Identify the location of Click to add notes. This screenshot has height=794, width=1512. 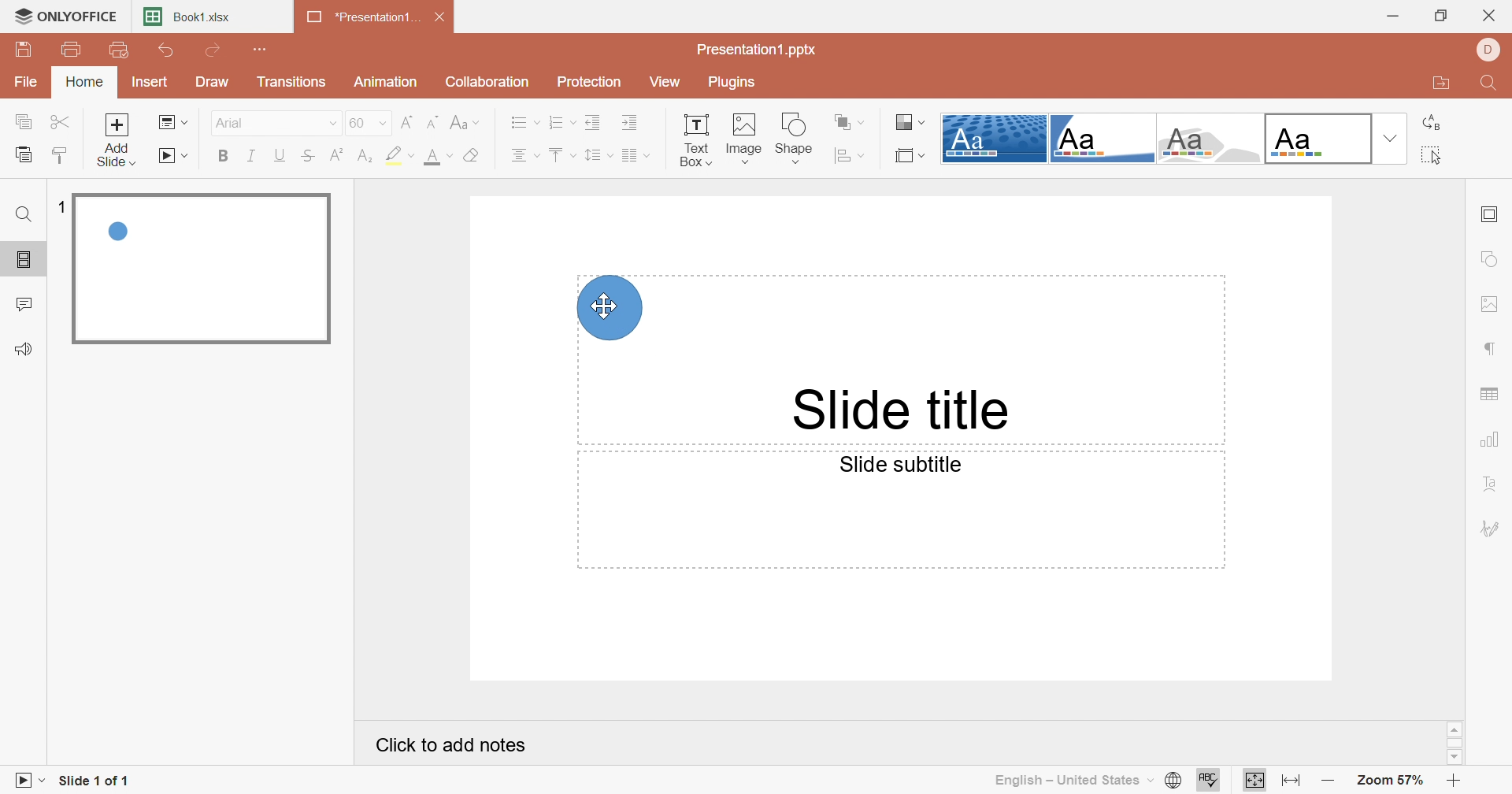
(454, 744).